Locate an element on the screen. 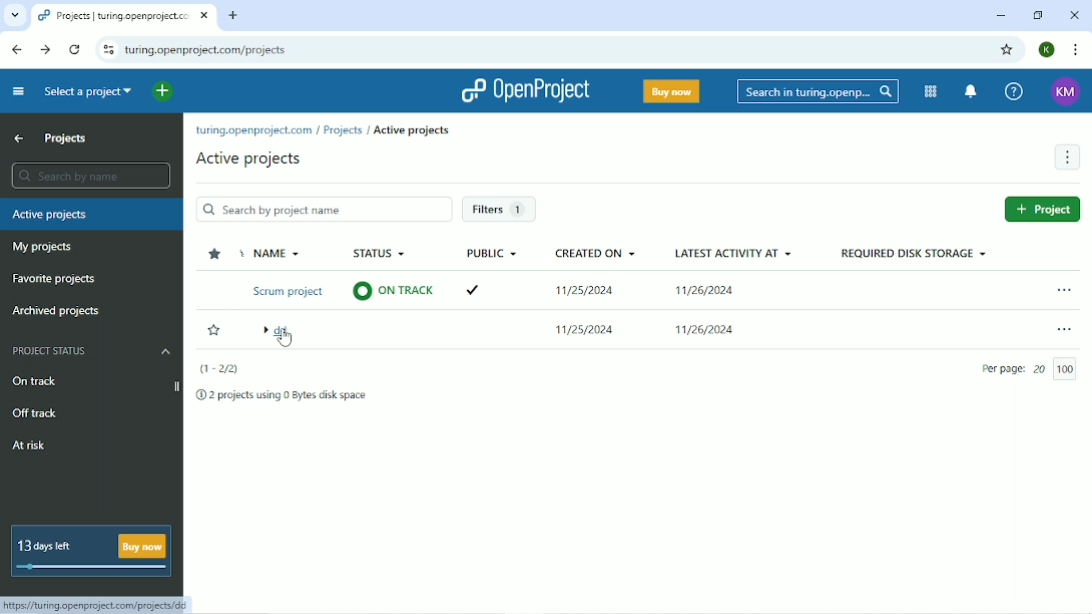  My projects is located at coordinates (44, 249).